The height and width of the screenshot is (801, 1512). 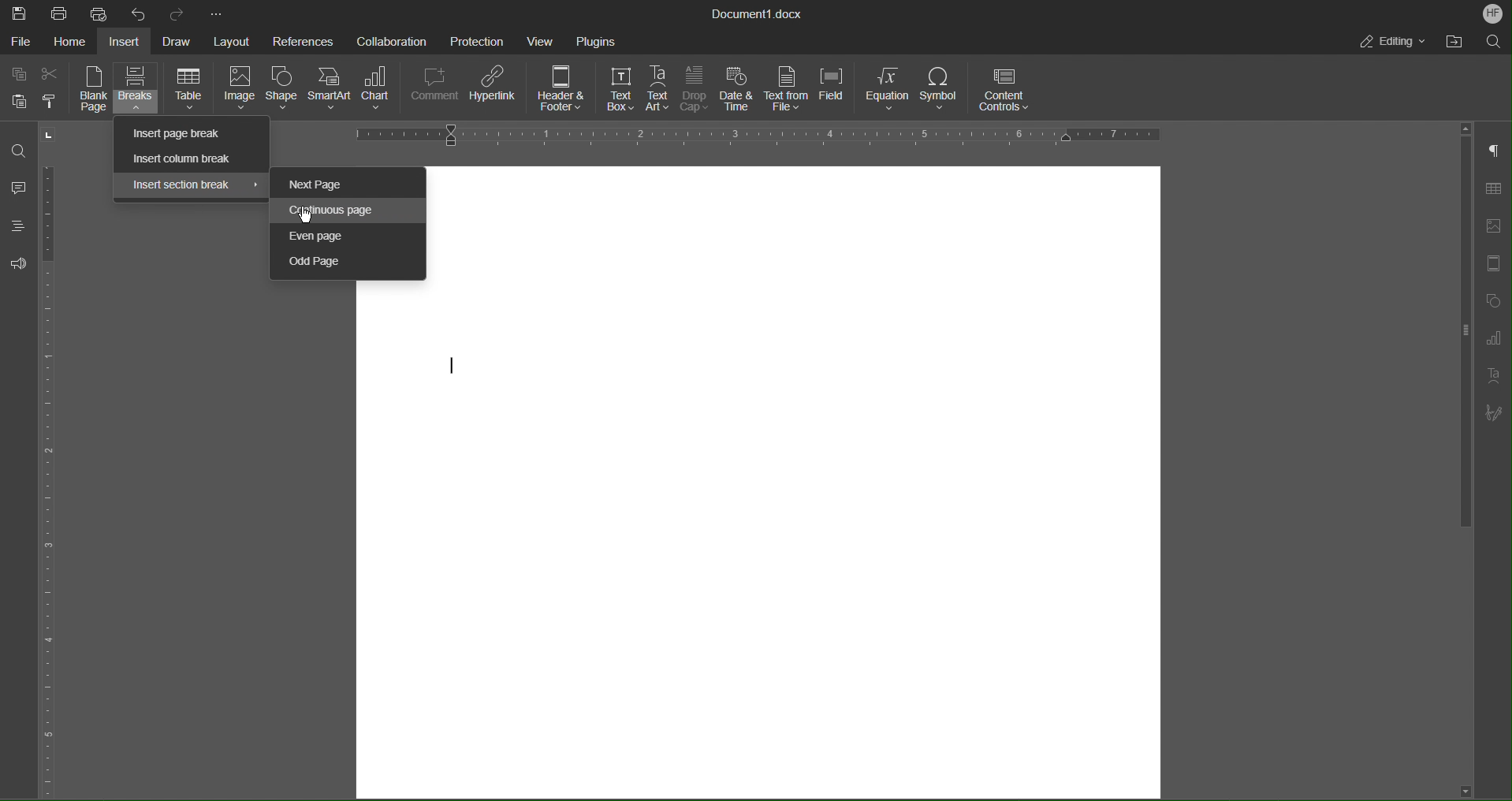 I want to click on View, so click(x=539, y=39).